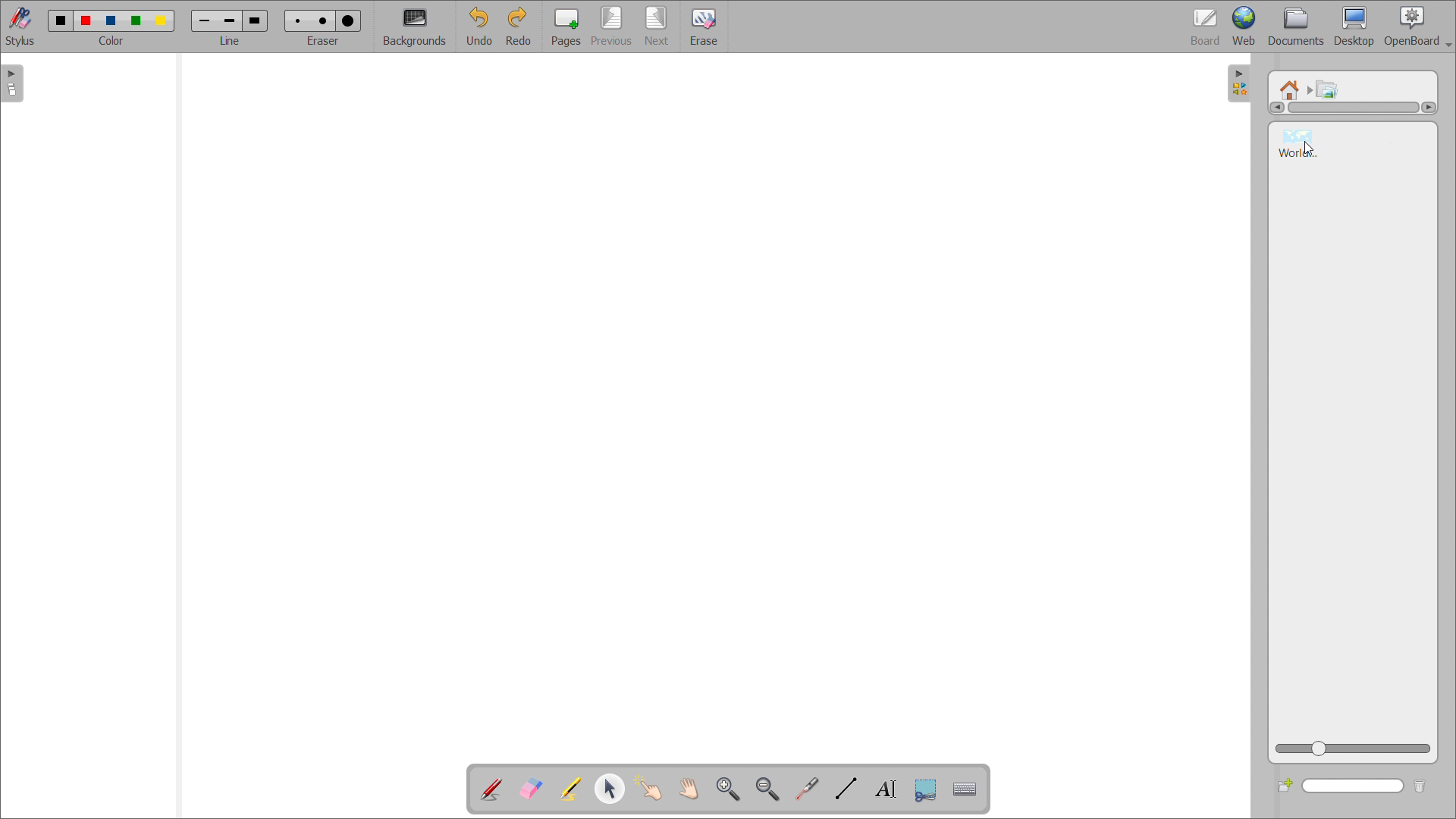  Describe the element at coordinates (1276, 107) in the screenshot. I see `scroll left` at that location.